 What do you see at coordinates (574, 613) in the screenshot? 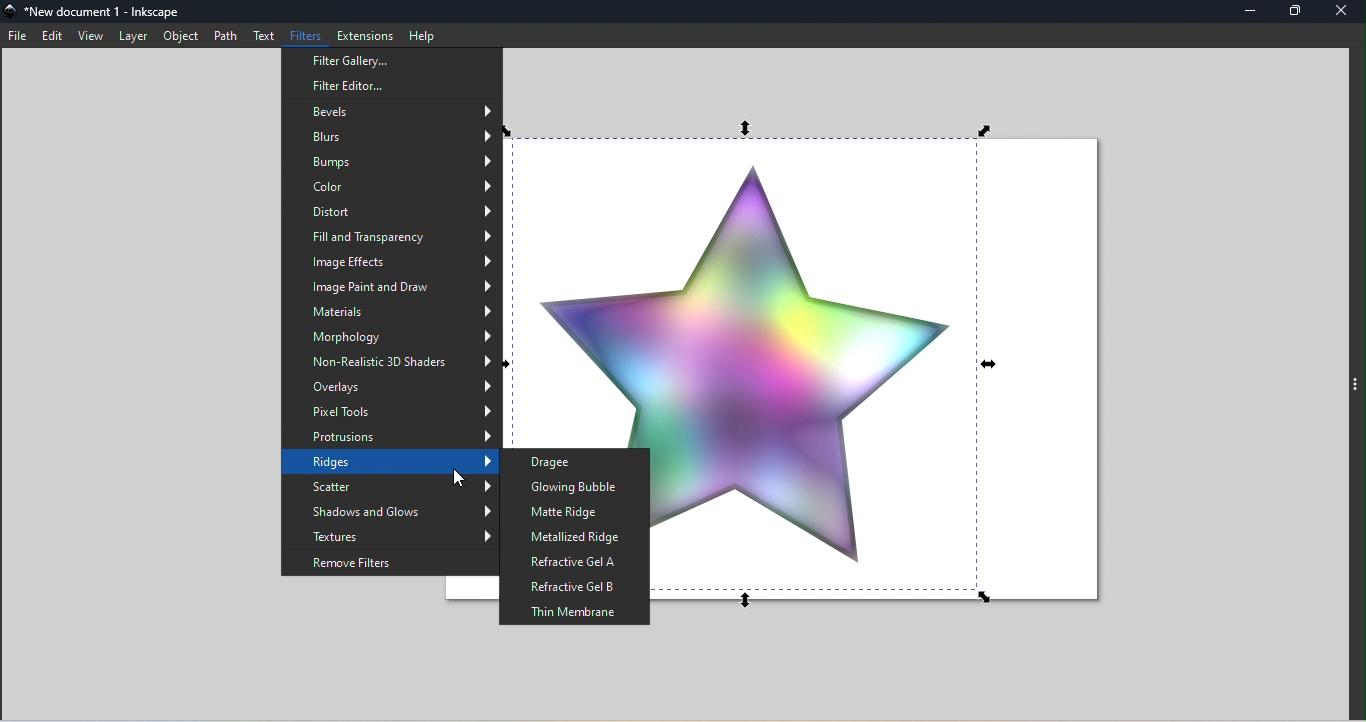
I see `Thin Membrane` at bounding box center [574, 613].